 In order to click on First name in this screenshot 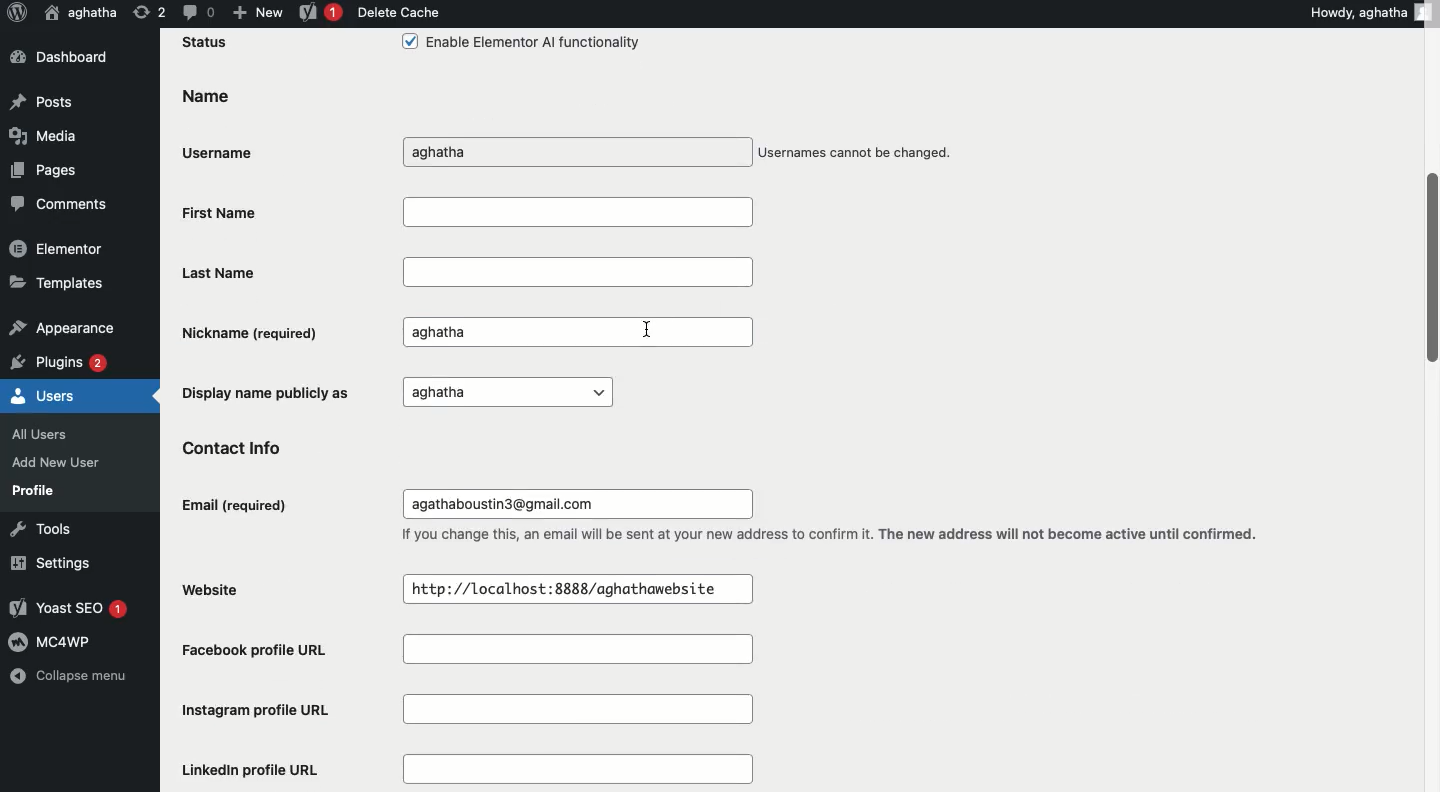, I will do `click(465, 211)`.